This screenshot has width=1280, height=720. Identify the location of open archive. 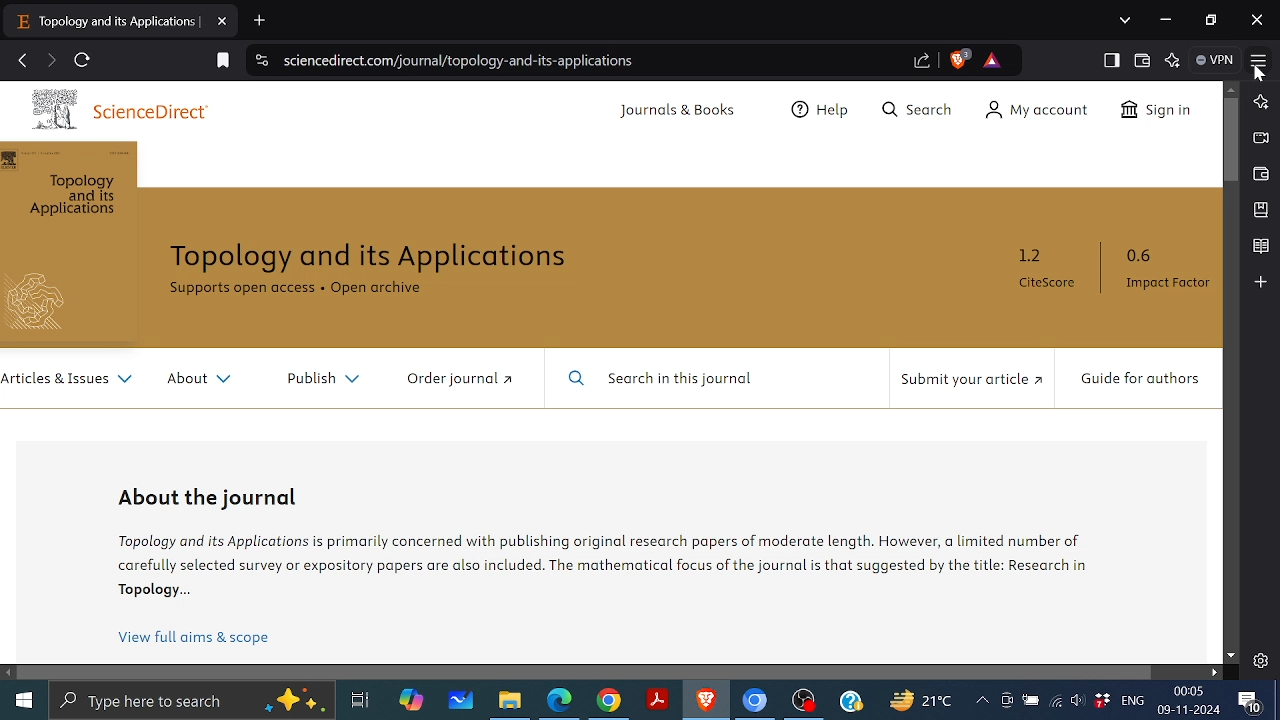
(377, 289).